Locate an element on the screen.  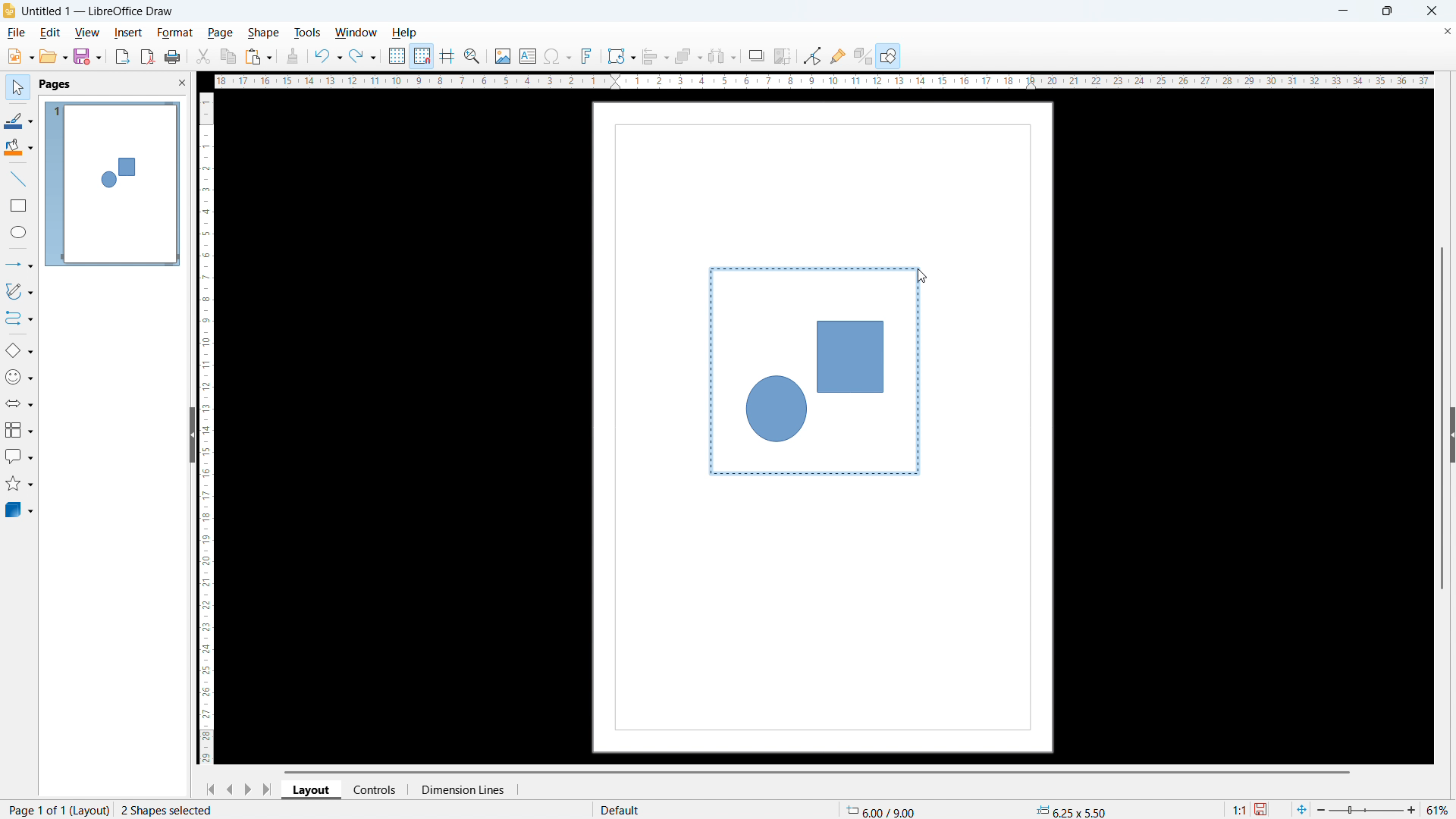
dimension lines is located at coordinates (461, 790).